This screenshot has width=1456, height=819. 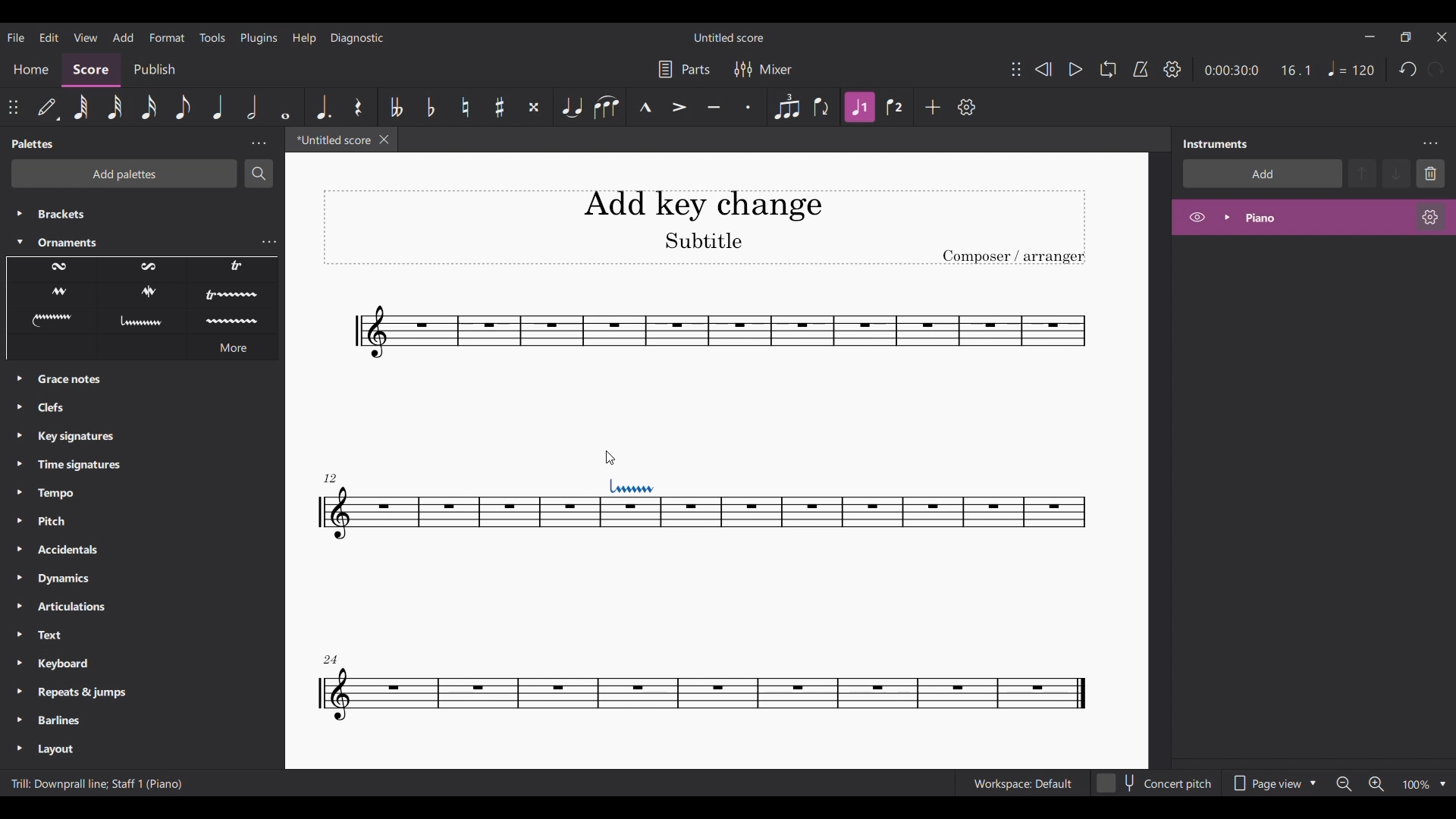 I want to click on Current zoom factor, so click(x=1417, y=786).